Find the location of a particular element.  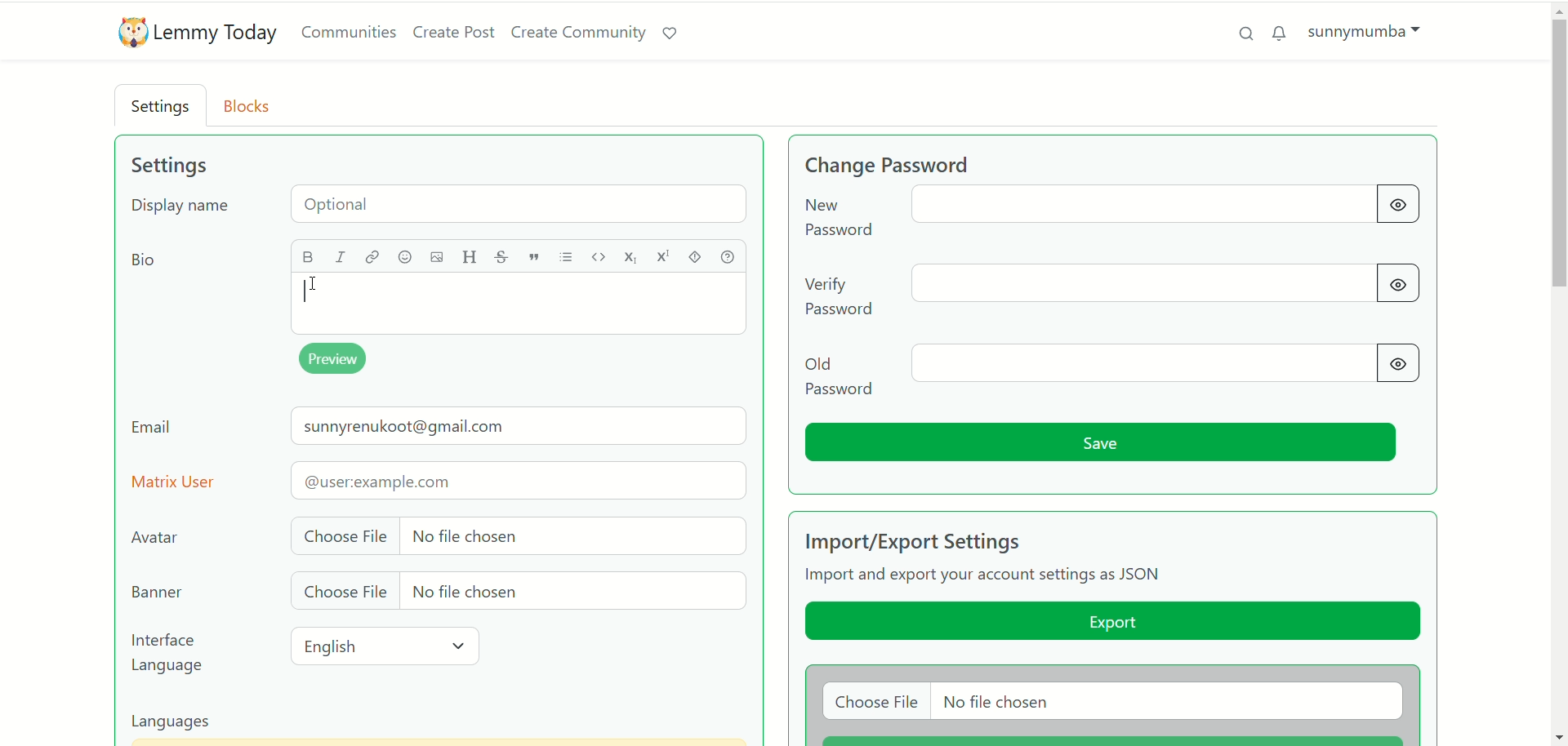

email is located at coordinates (439, 430).